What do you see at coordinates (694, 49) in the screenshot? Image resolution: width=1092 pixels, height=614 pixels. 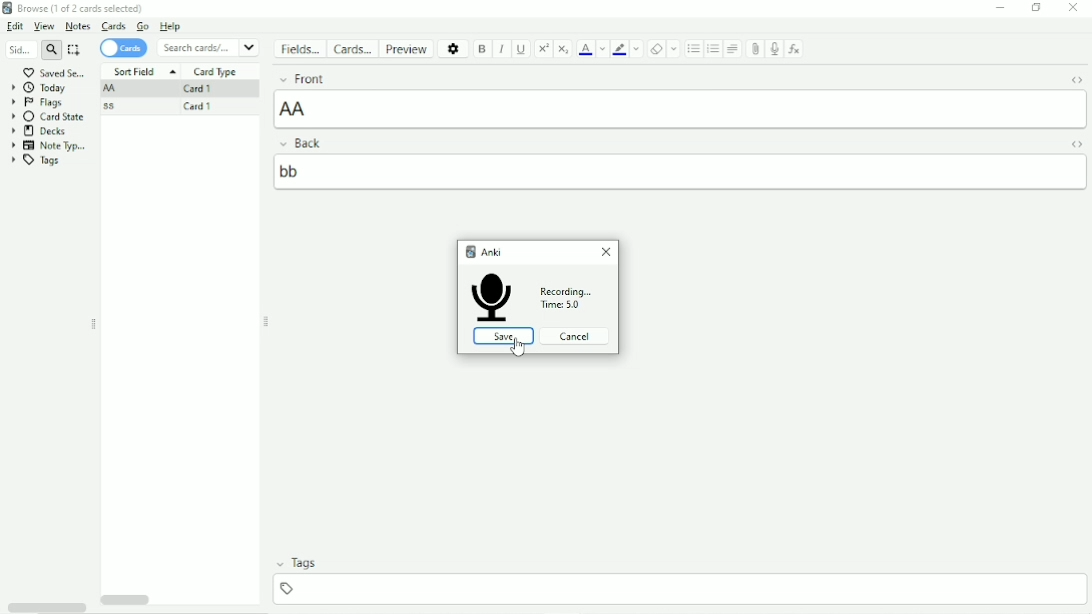 I see `Unordered list` at bounding box center [694, 49].